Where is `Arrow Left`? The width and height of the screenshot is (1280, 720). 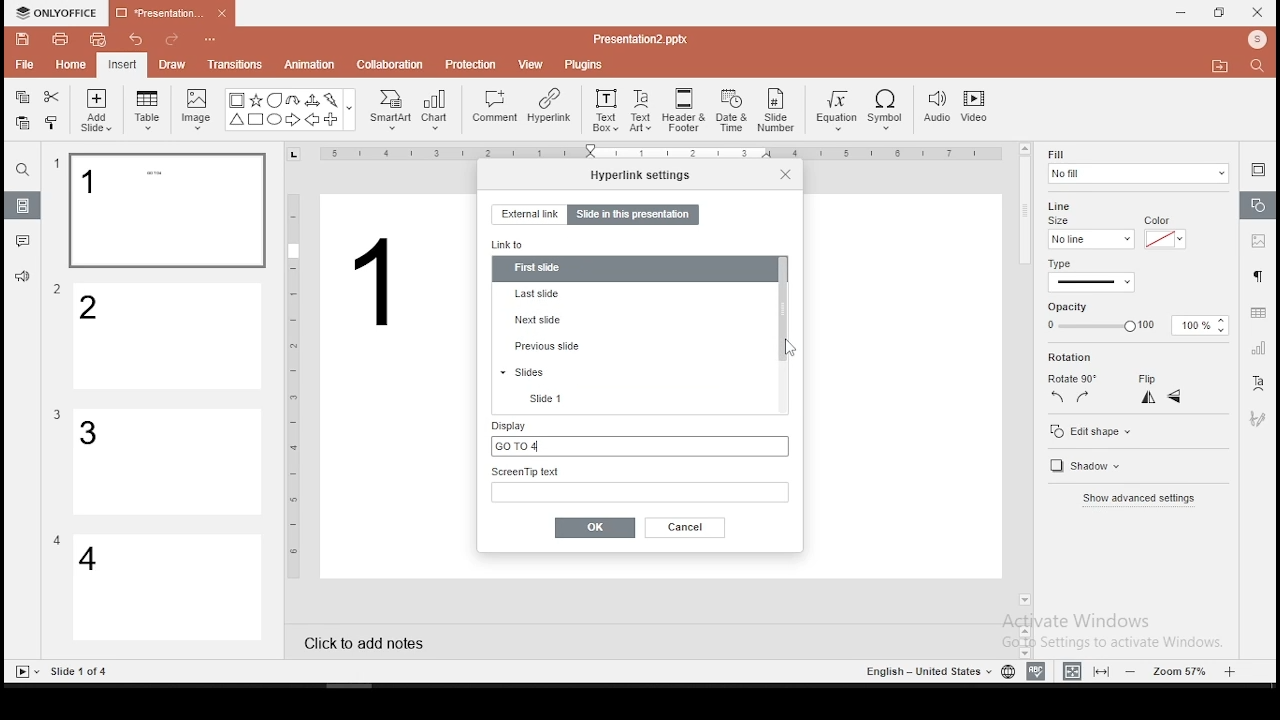 Arrow Left is located at coordinates (312, 120).